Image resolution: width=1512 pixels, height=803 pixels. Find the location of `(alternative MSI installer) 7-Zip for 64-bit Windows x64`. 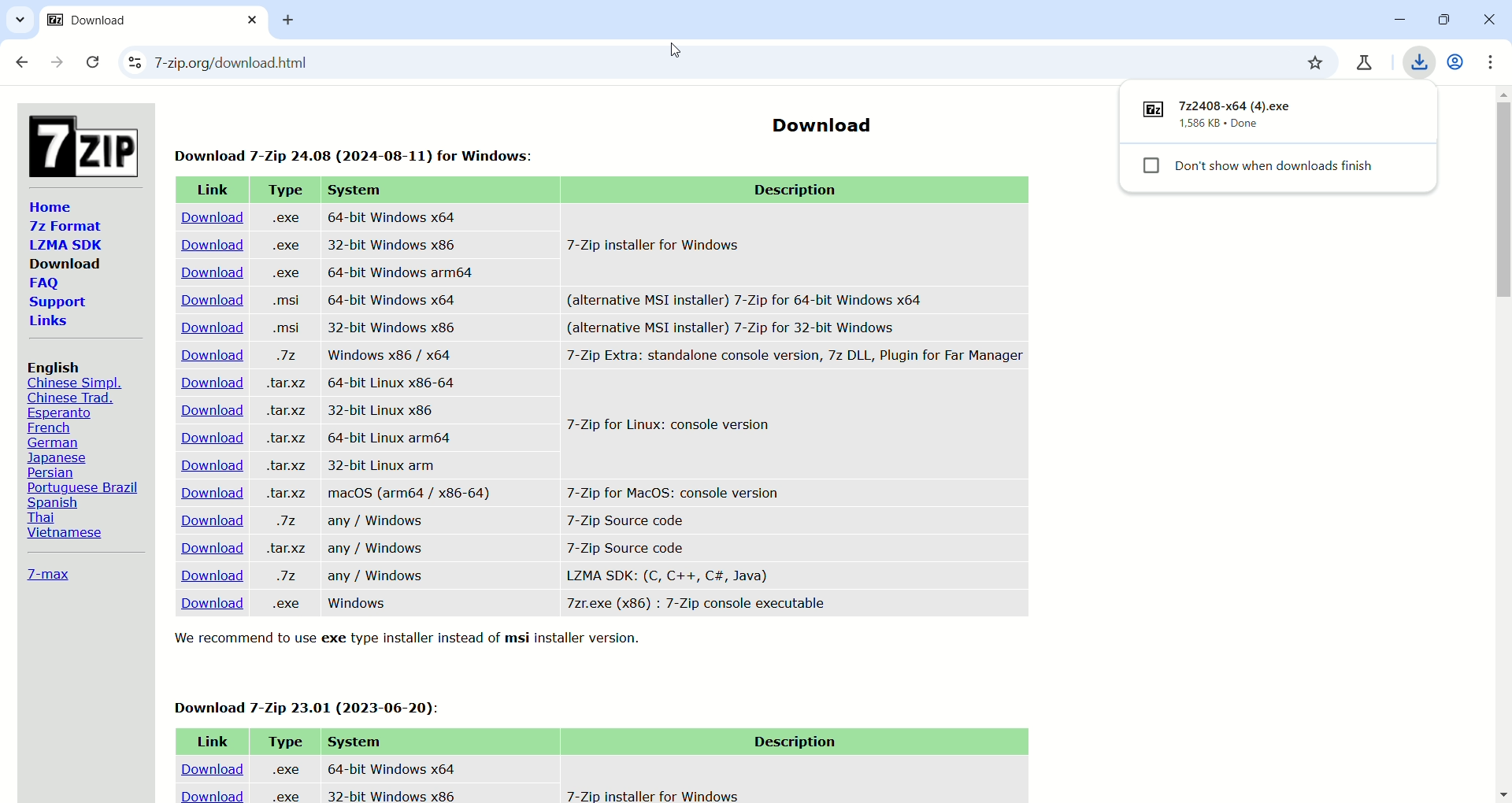

(alternative MSI installer) 7-Zip for 64-bit Windows x64 is located at coordinates (747, 297).